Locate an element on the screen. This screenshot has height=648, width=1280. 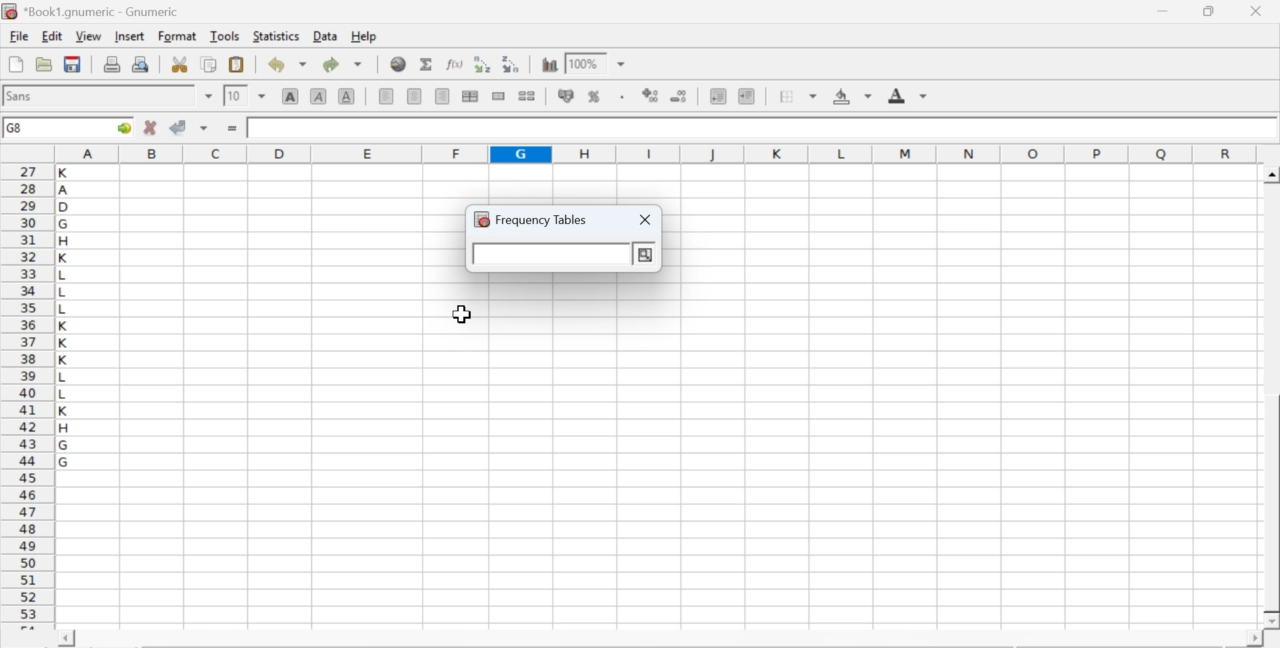
restore down is located at coordinates (1210, 12).